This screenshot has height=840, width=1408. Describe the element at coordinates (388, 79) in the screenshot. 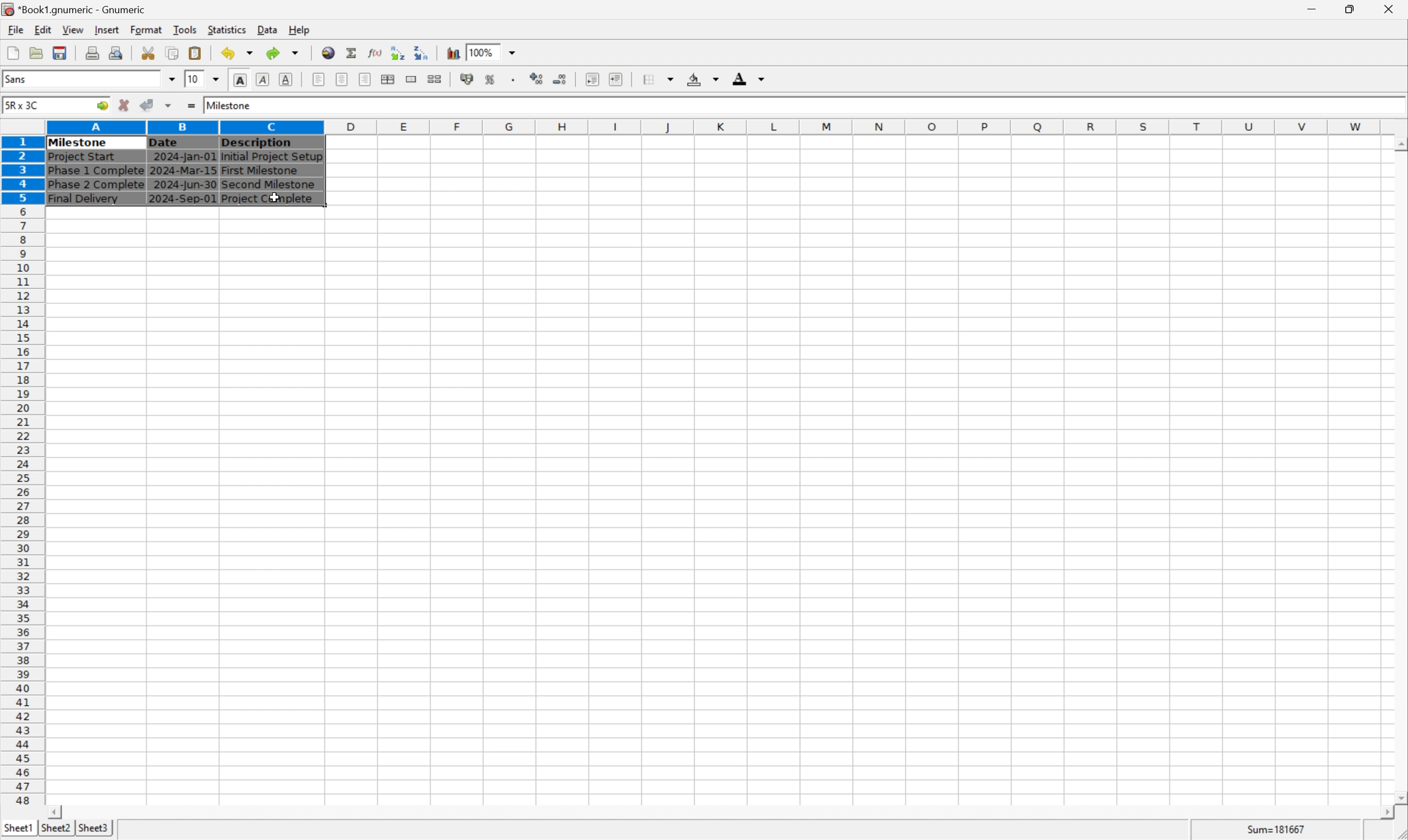

I see `center horizontally across selection` at that location.